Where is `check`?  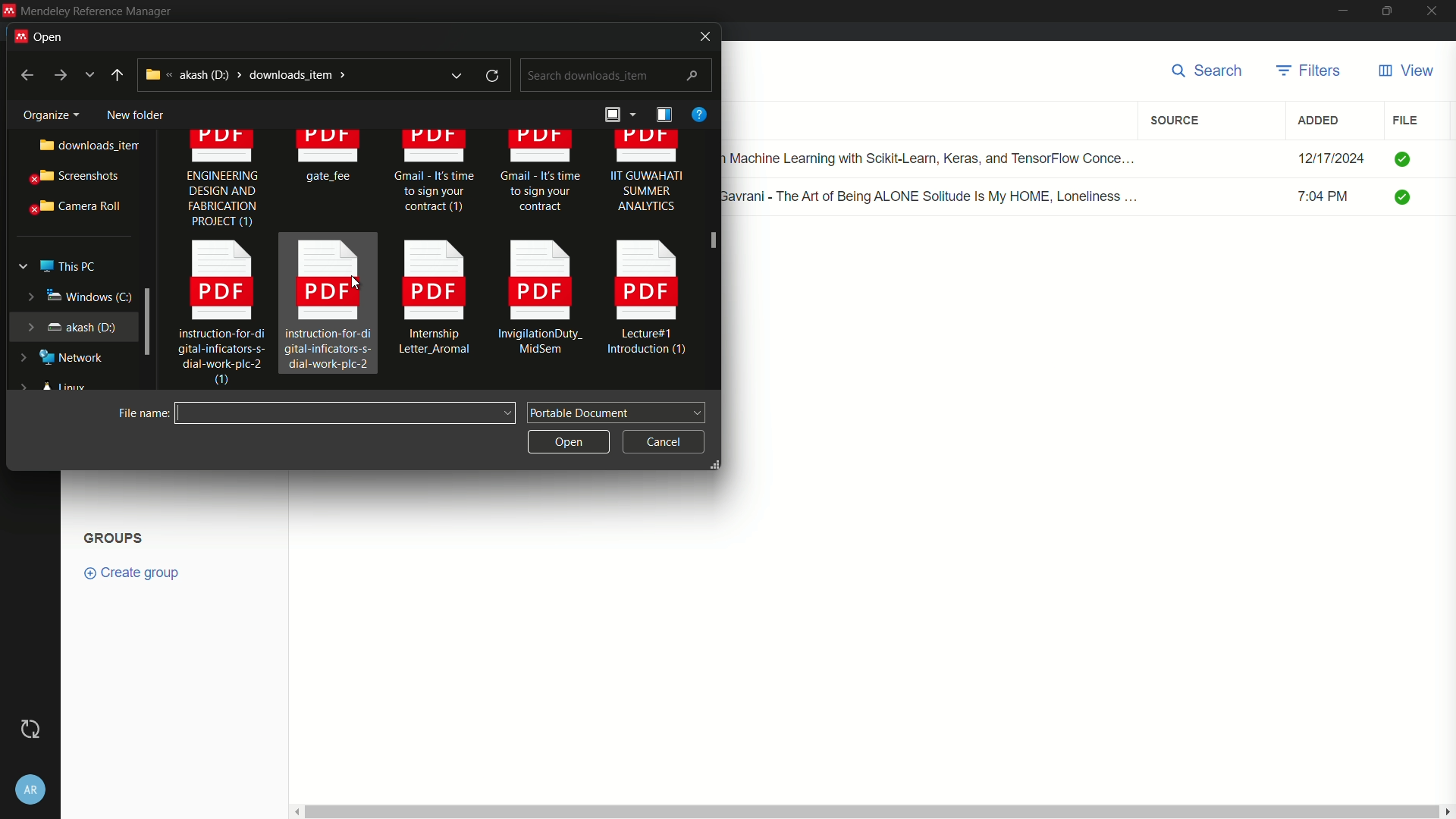 check is located at coordinates (1407, 199).